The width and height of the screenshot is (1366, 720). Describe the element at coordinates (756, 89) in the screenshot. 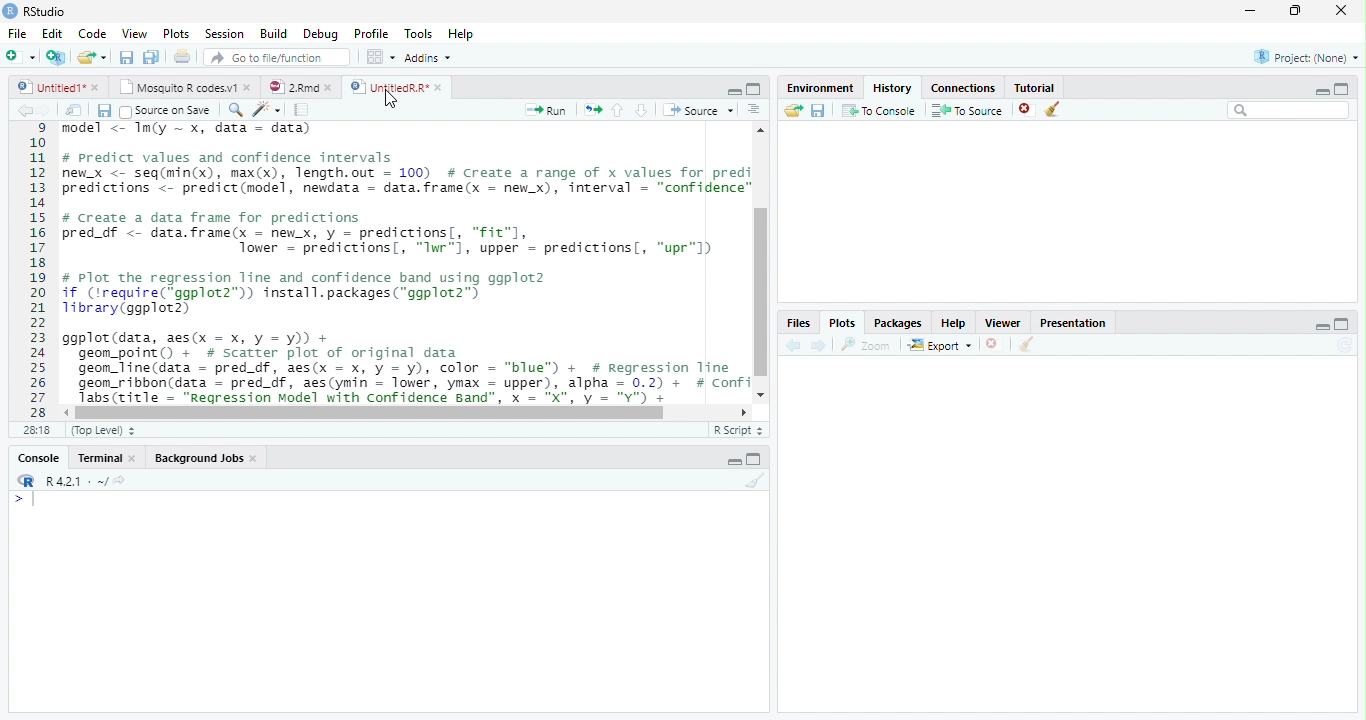

I see `Maximize` at that location.